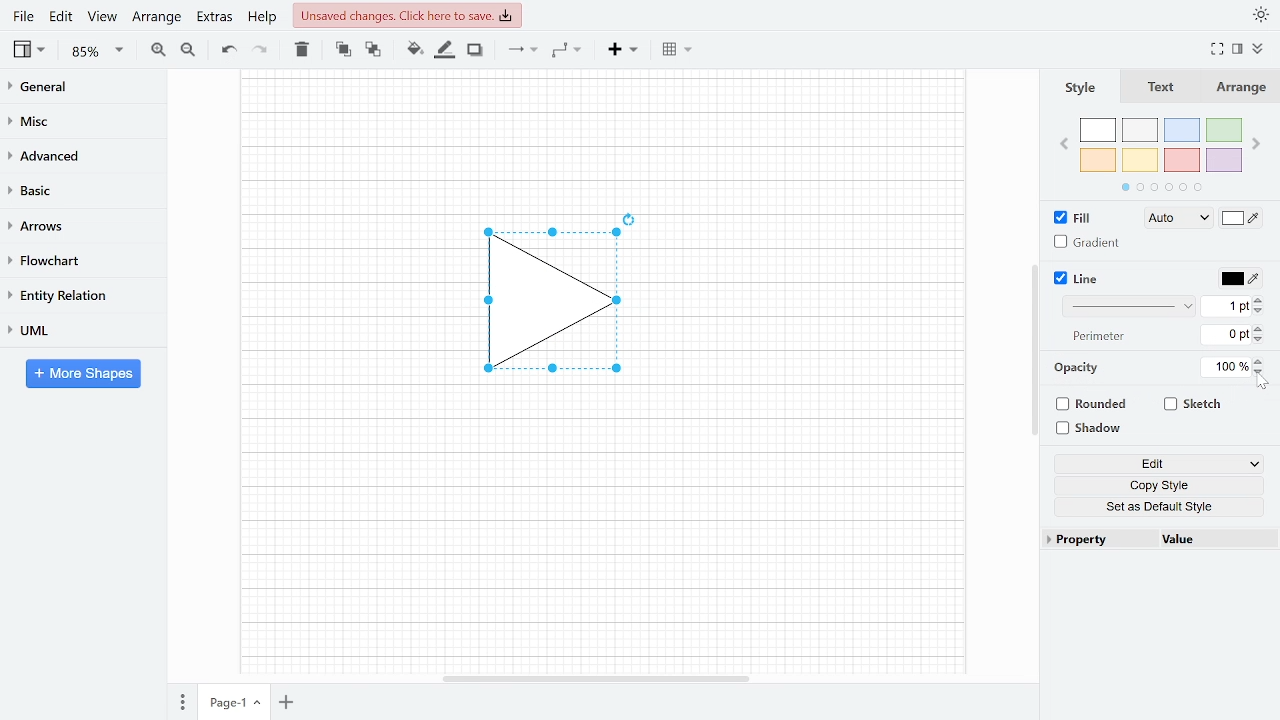 This screenshot has height=720, width=1280. Describe the element at coordinates (1096, 429) in the screenshot. I see `Shadow` at that location.